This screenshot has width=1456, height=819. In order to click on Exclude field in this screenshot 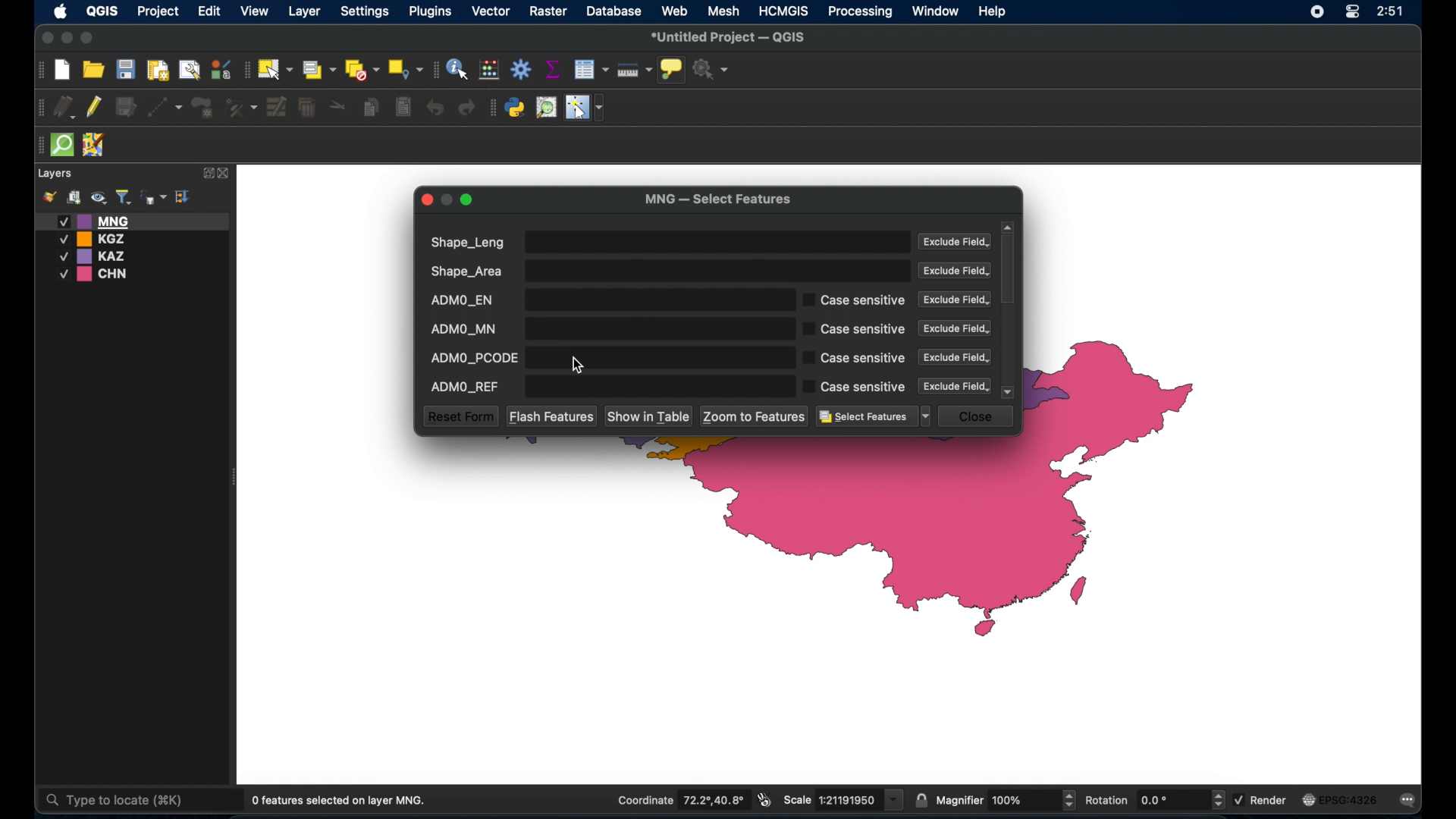, I will do `click(953, 300)`.